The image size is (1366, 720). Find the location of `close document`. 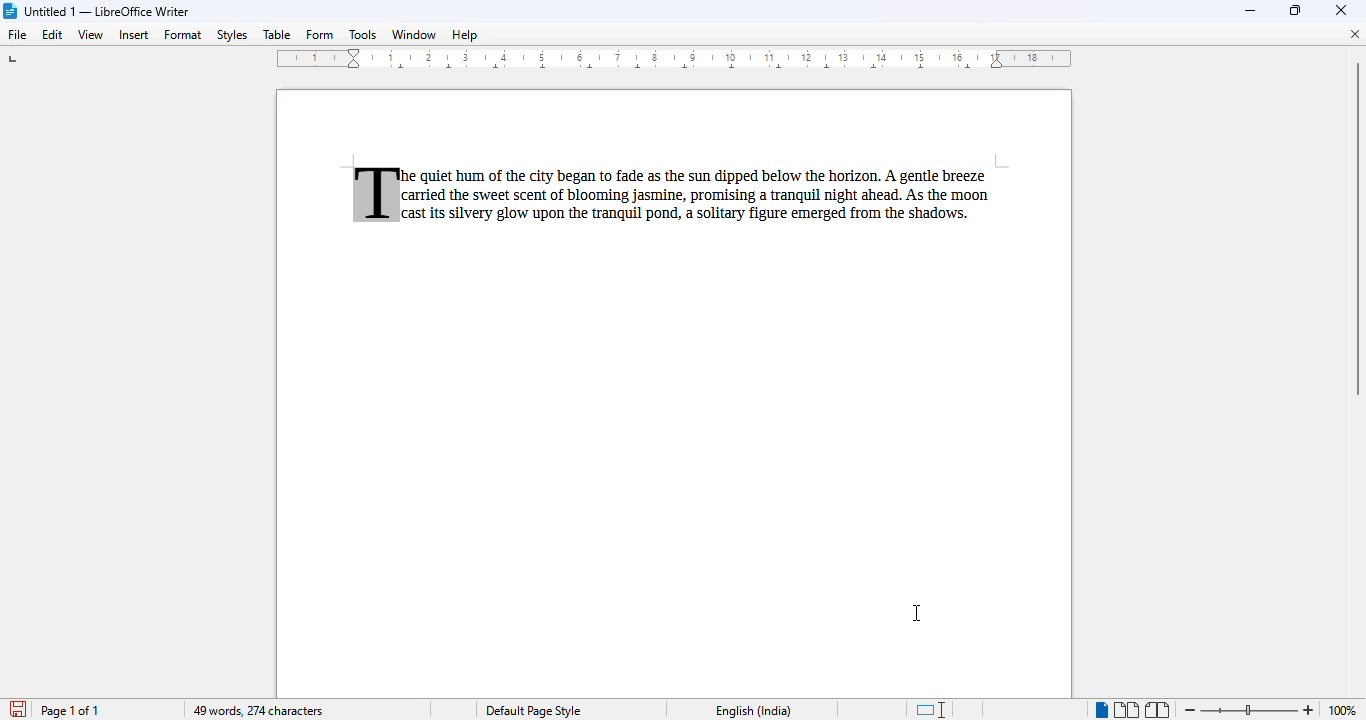

close document is located at coordinates (1355, 34).